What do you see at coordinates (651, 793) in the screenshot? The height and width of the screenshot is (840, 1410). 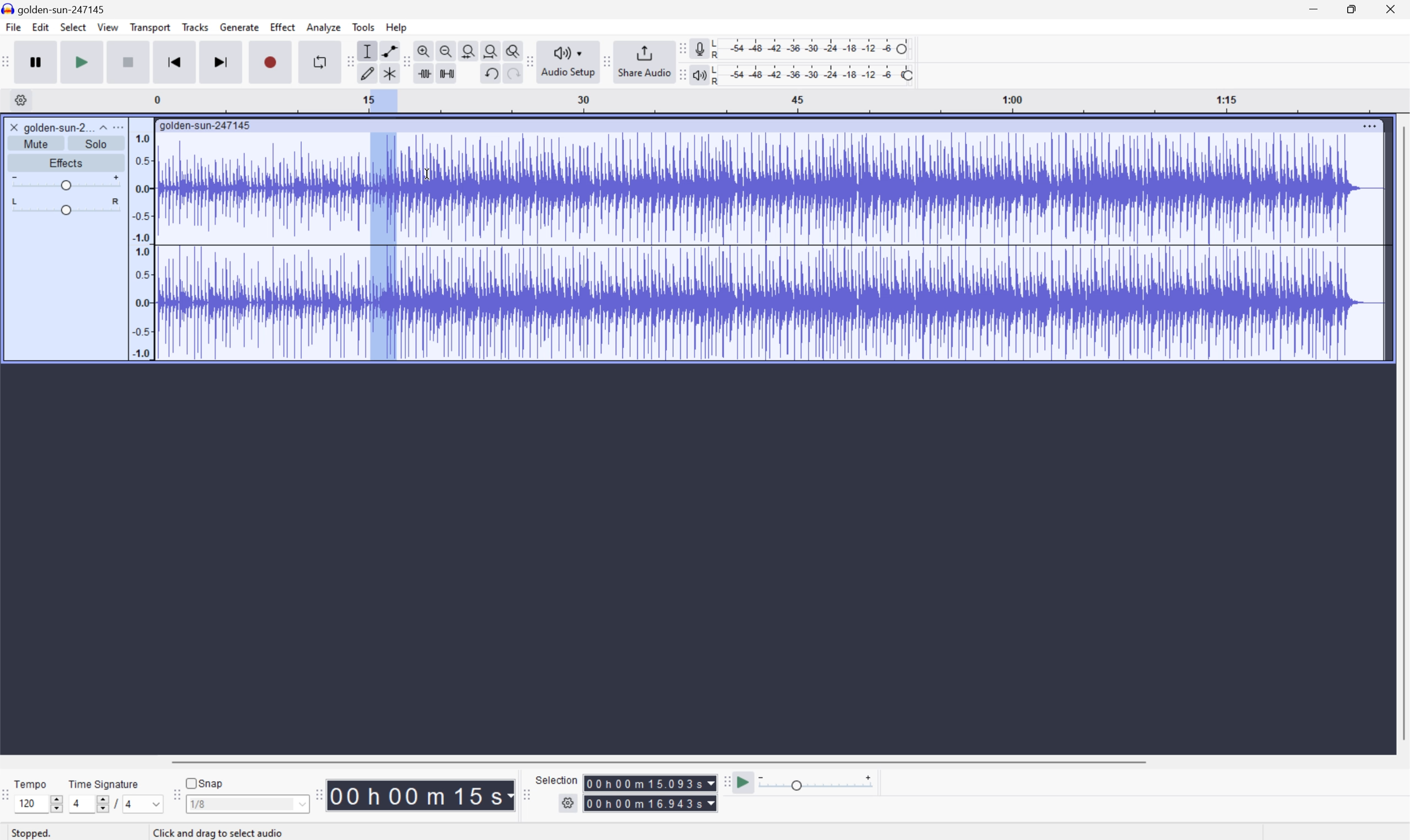 I see `Selection` at bounding box center [651, 793].